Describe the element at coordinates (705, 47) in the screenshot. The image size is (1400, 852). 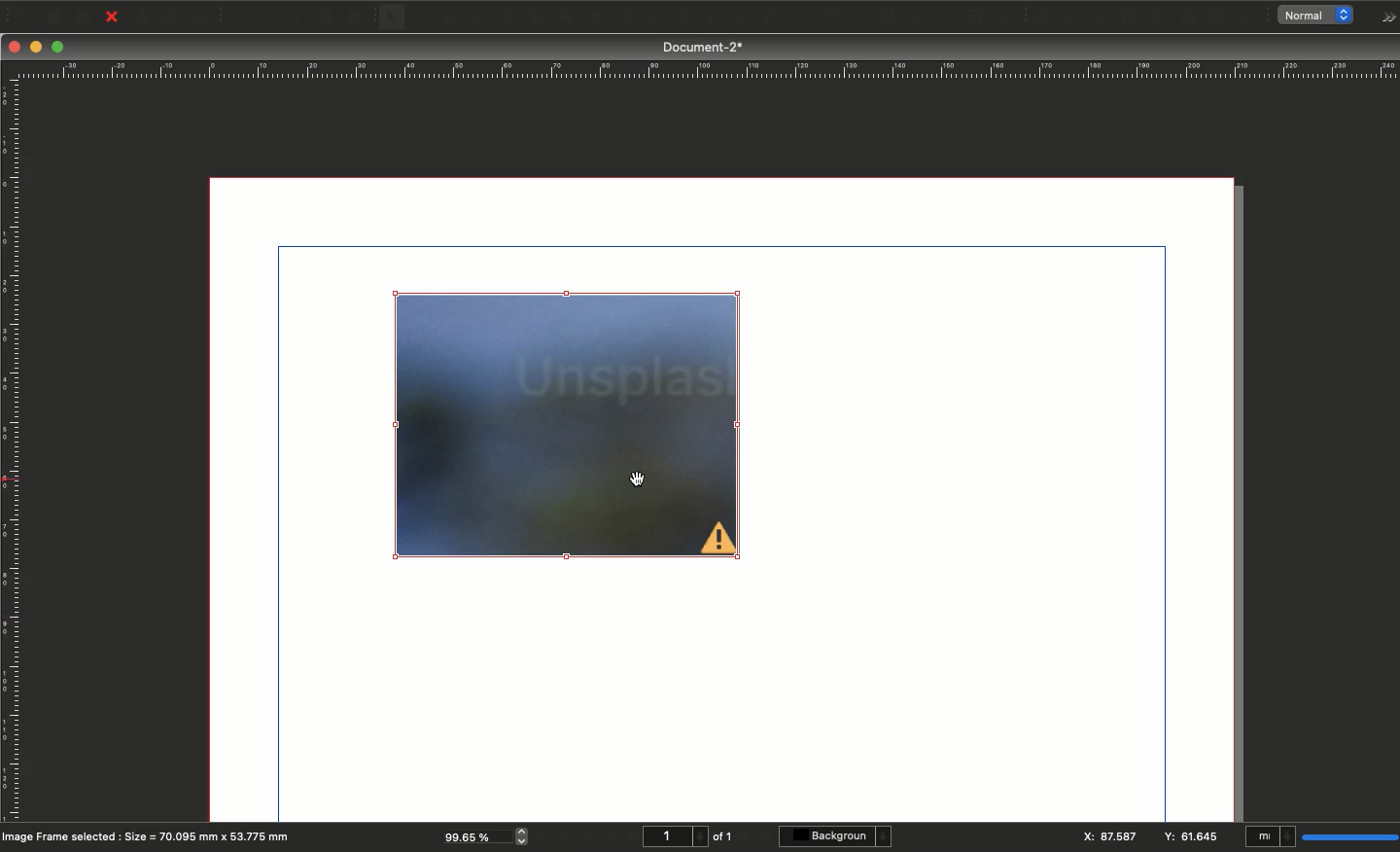
I see `Document-2*` at that location.